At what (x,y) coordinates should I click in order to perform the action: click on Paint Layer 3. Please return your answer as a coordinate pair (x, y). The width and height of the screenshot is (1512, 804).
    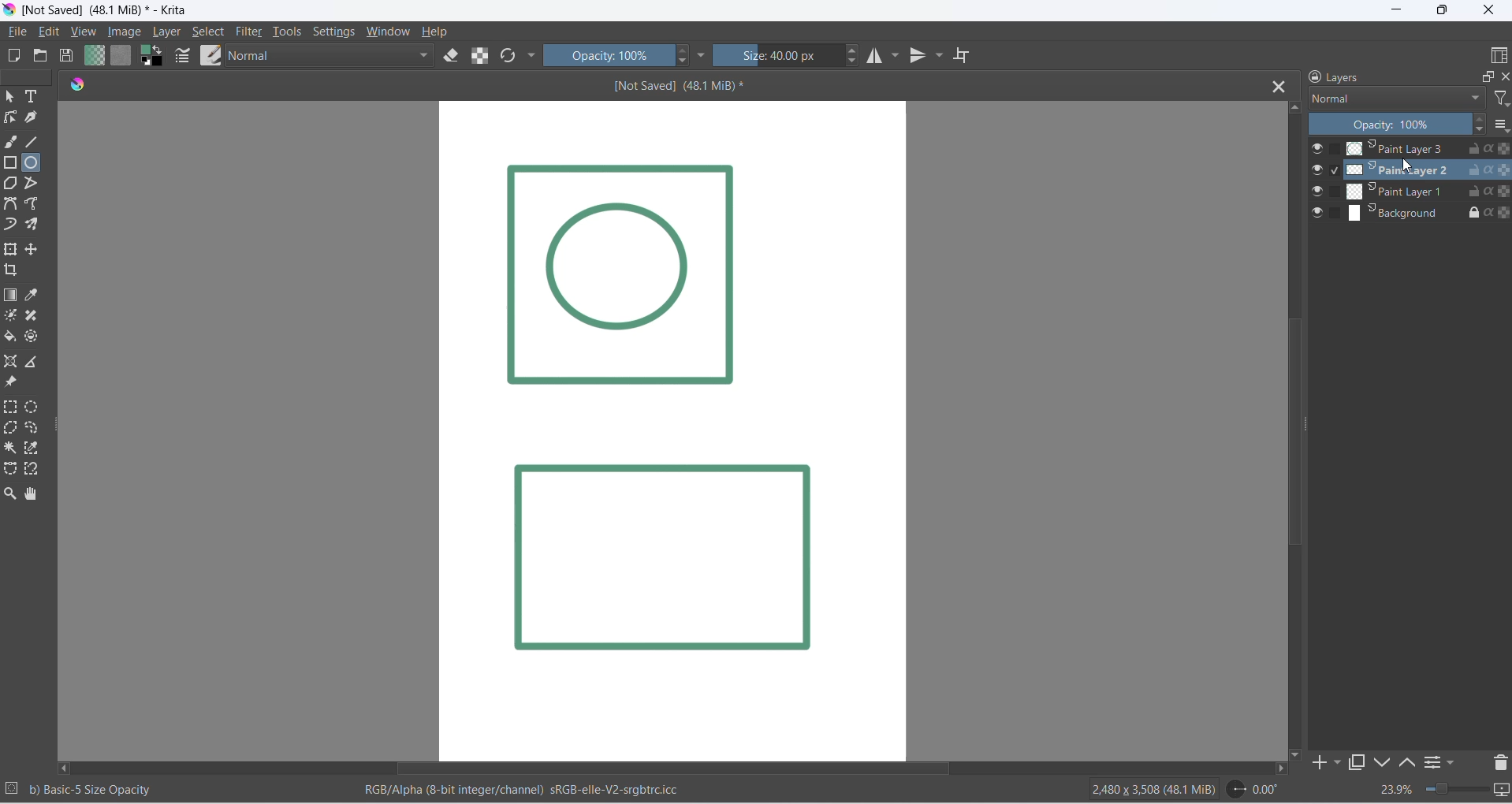
    Looking at the image, I should click on (1399, 147).